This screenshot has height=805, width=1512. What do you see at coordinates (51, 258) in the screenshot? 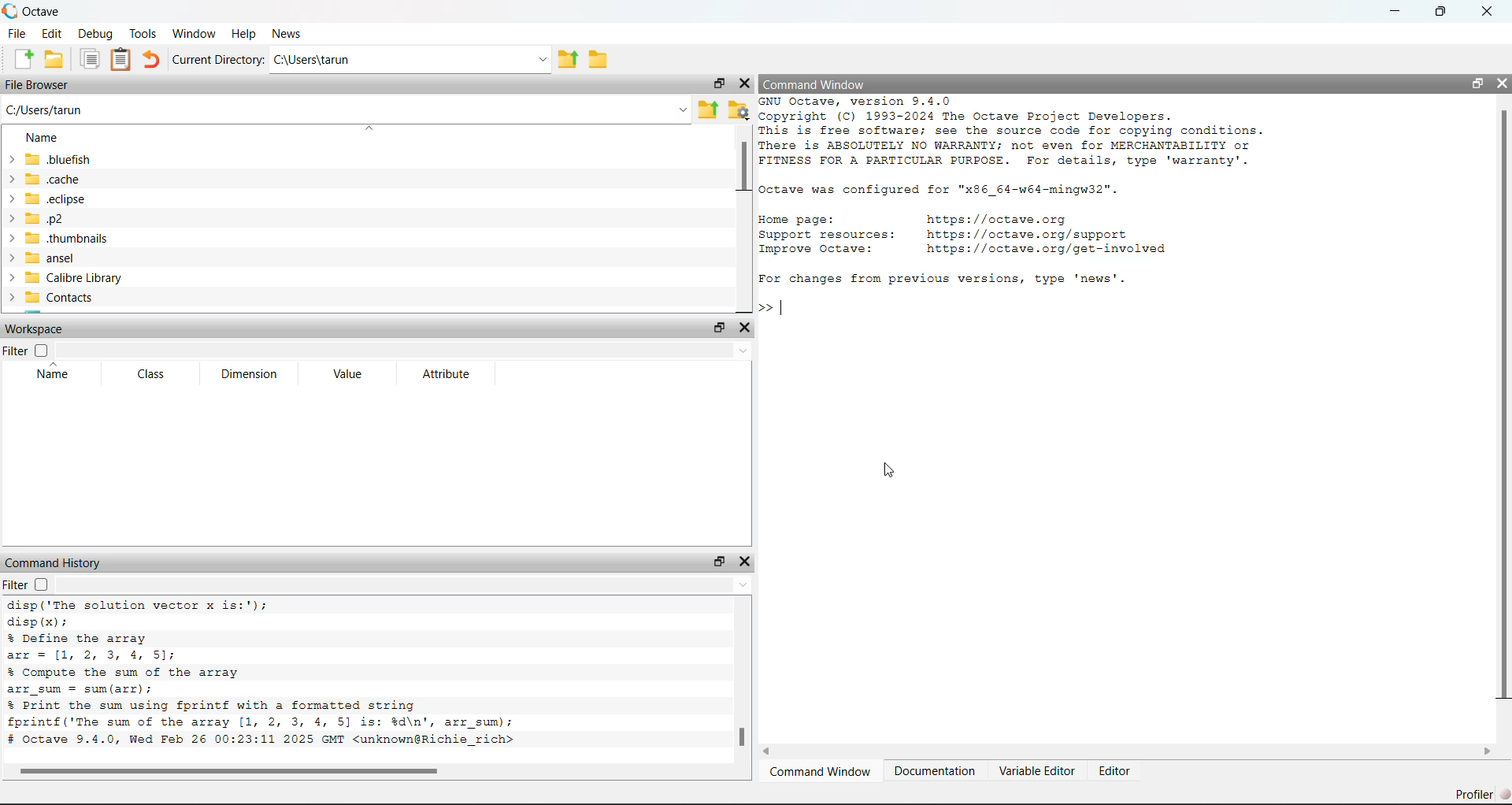
I see `ansel` at bounding box center [51, 258].